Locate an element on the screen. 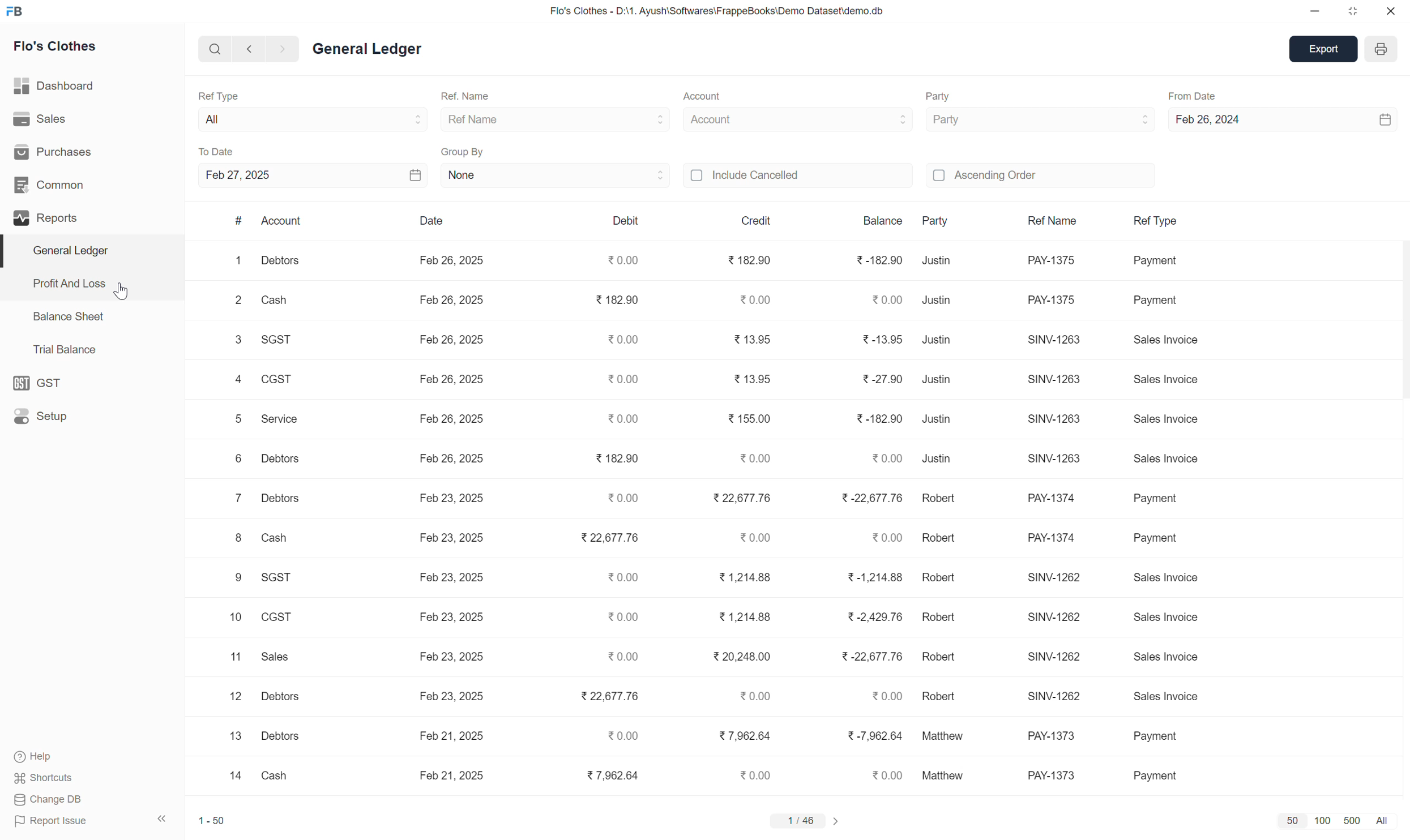 The width and height of the screenshot is (1410, 840). To Date is located at coordinates (225, 152).